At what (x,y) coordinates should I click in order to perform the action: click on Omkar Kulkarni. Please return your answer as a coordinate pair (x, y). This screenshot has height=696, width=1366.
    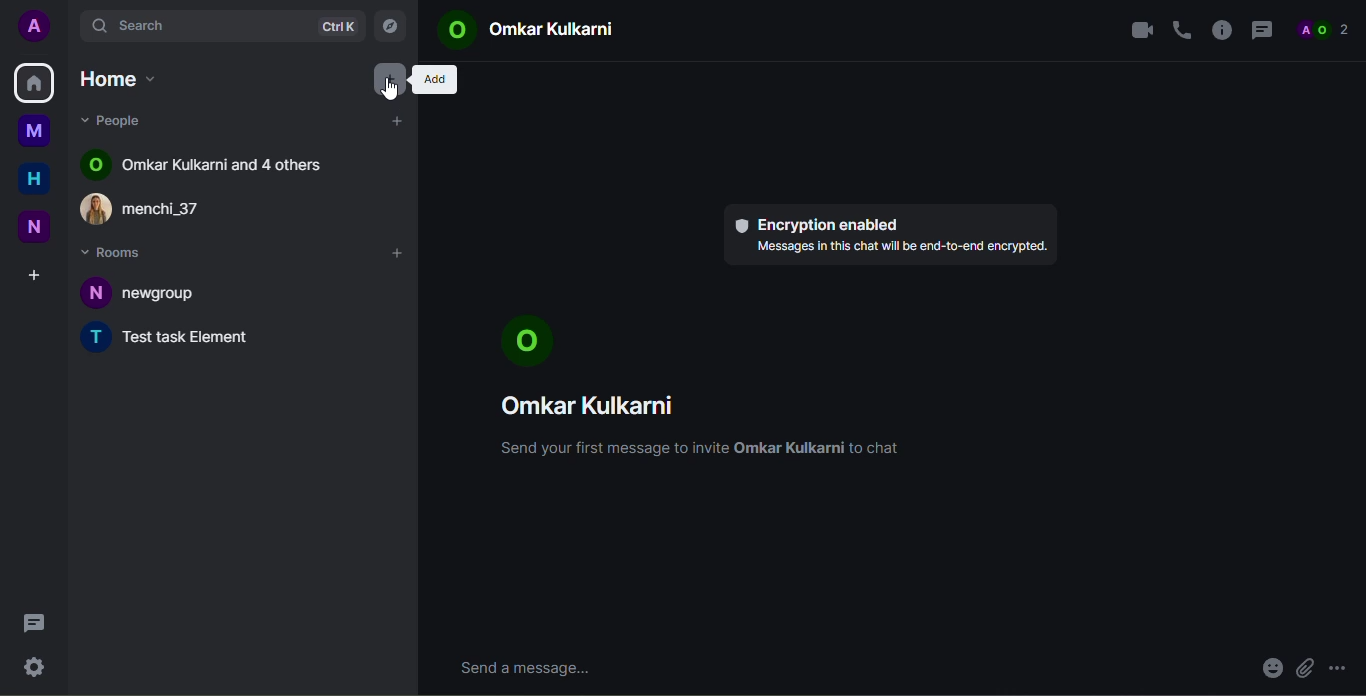
    Looking at the image, I should click on (593, 409).